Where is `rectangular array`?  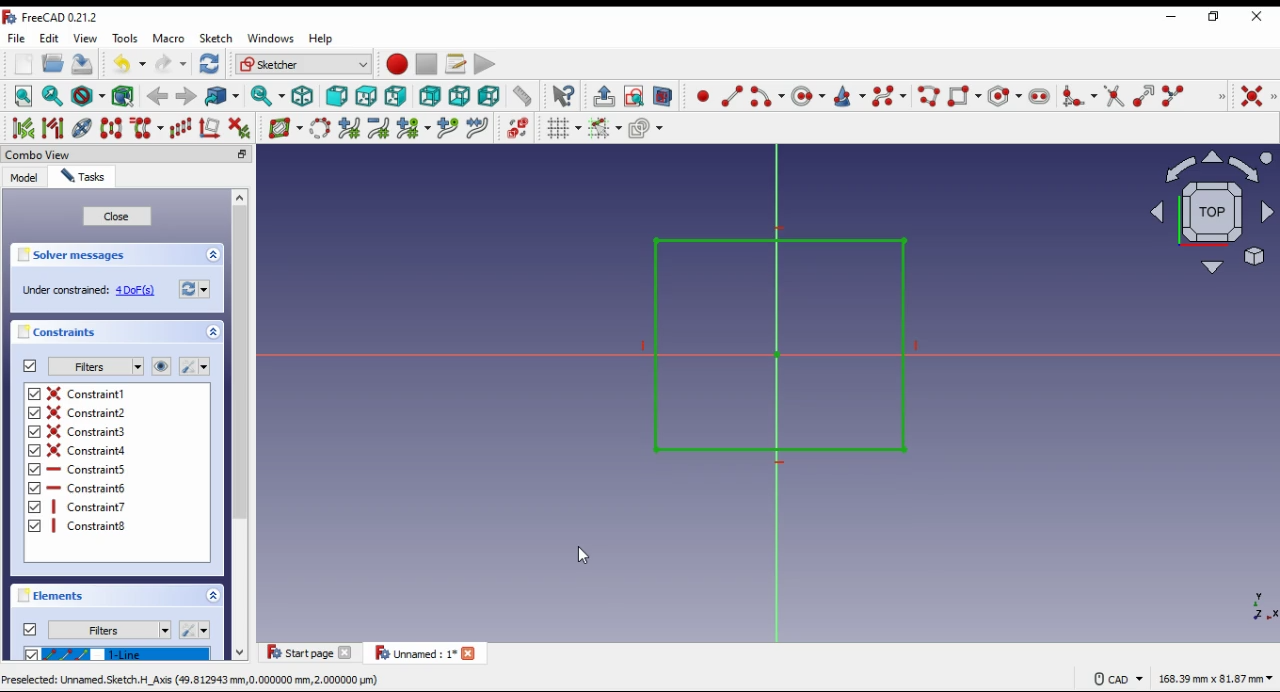 rectangular array is located at coordinates (180, 129).